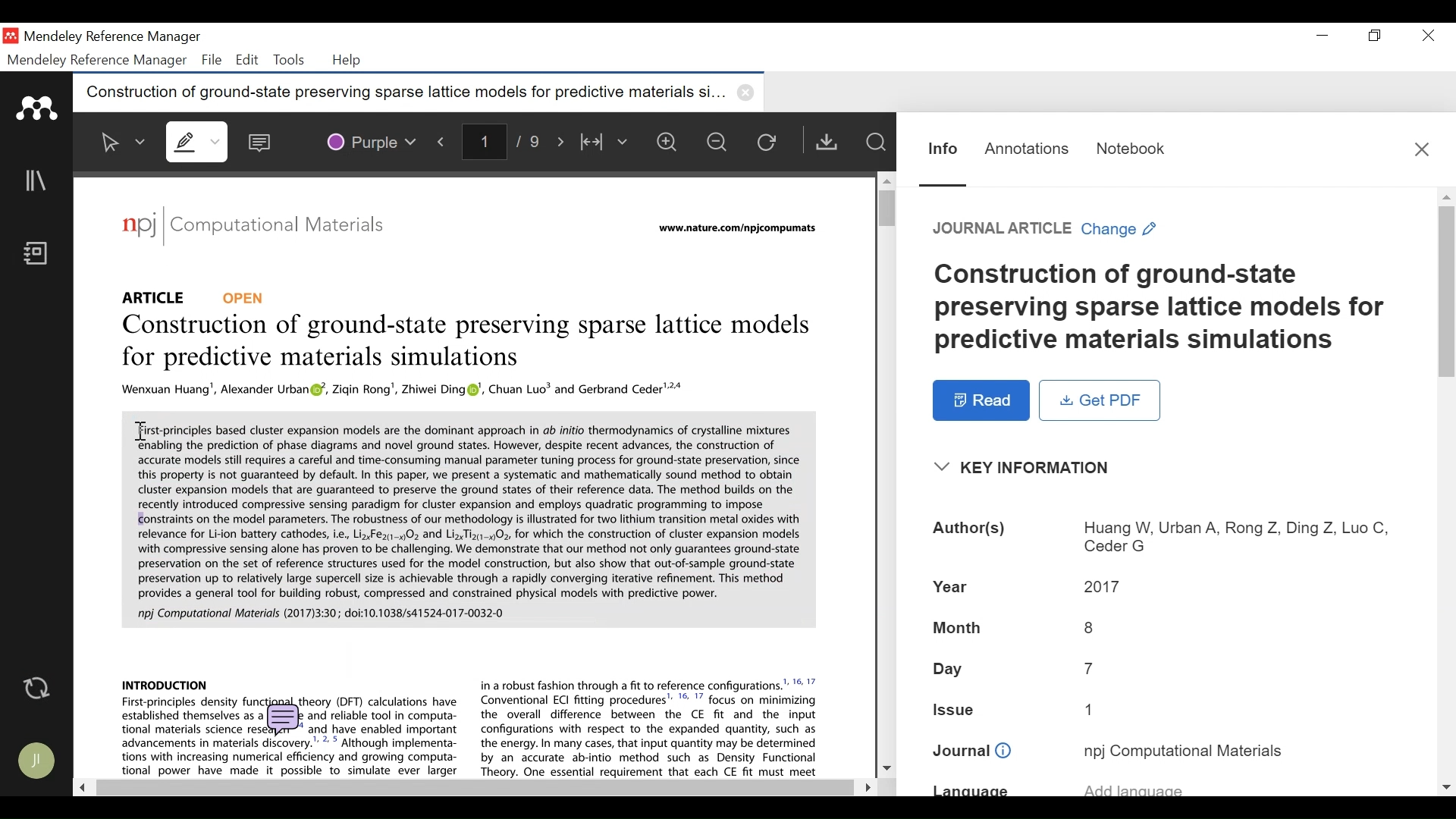 This screenshot has width=1456, height=819. What do you see at coordinates (982, 400) in the screenshot?
I see `Read` at bounding box center [982, 400].